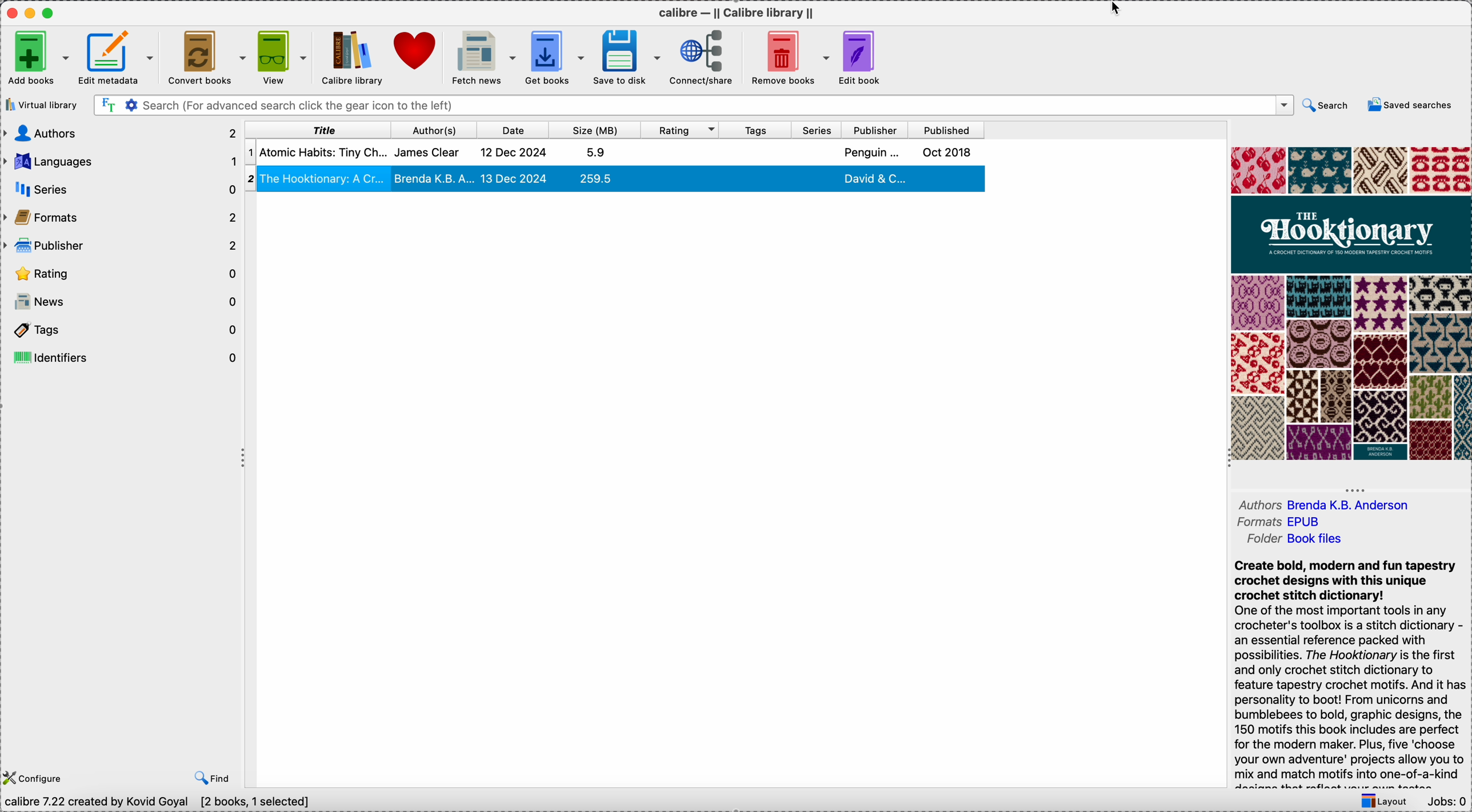 This screenshot has height=812, width=1472. I want to click on donate, so click(415, 51).